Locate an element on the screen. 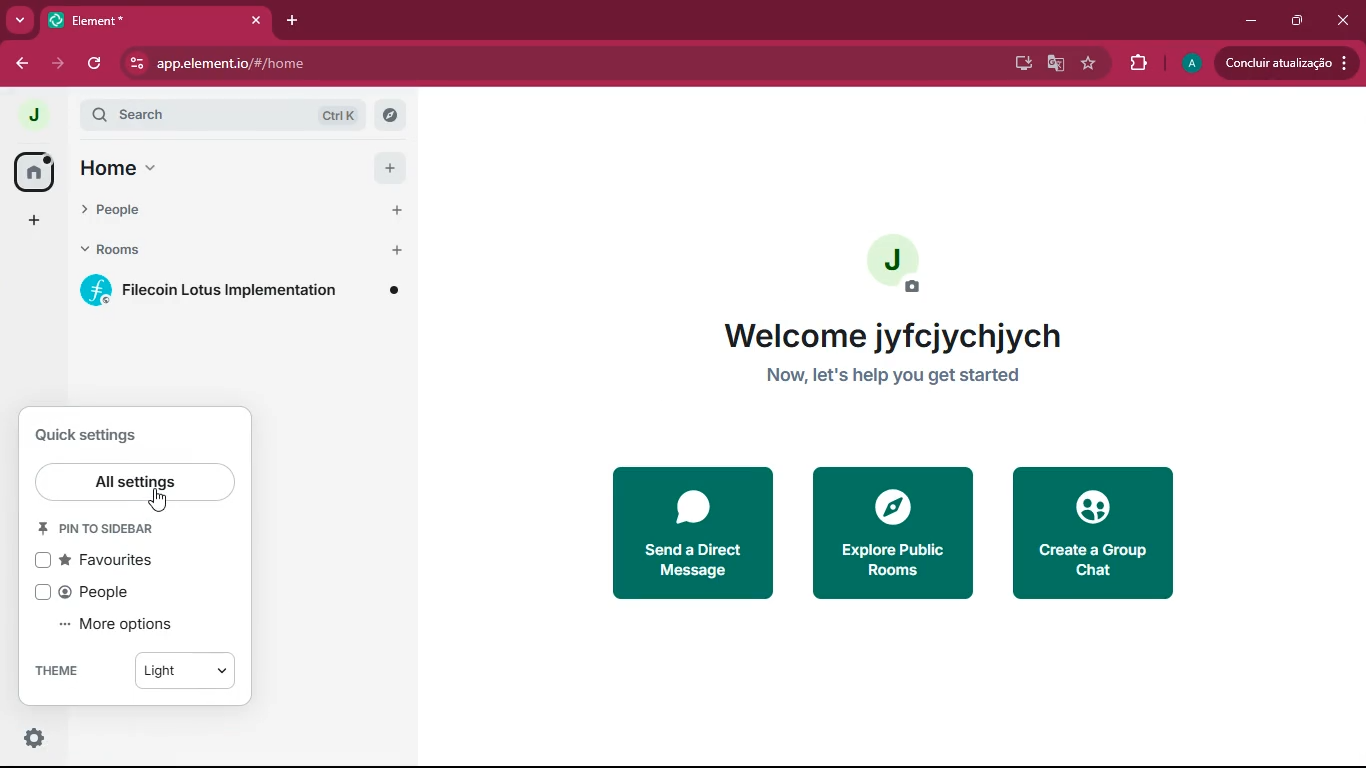 The width and height of the screenshot is (1366, 768). desktop is located at coordinates (1015, 62).